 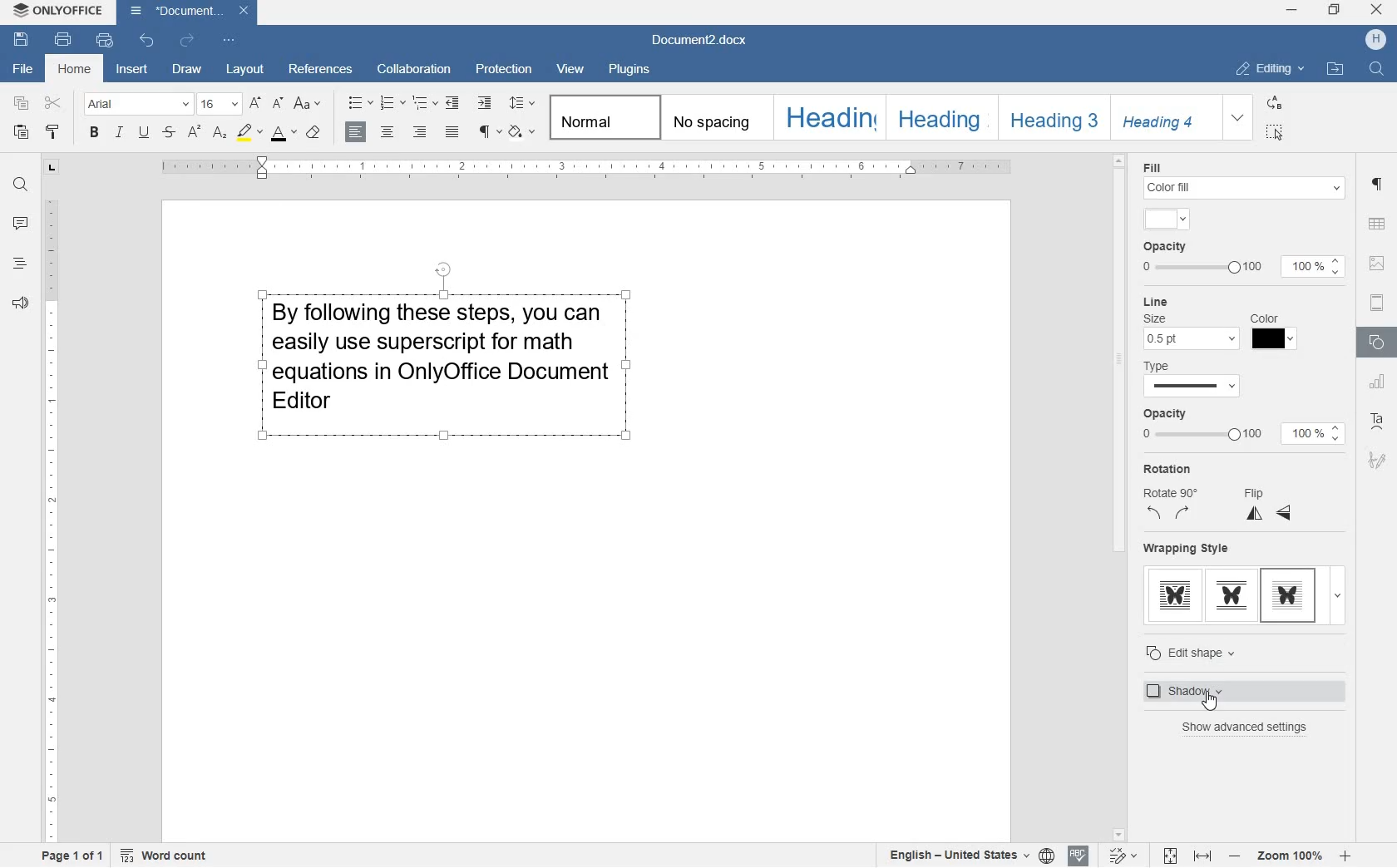 I want to click on feedback & support, so click(x=18, y=303).